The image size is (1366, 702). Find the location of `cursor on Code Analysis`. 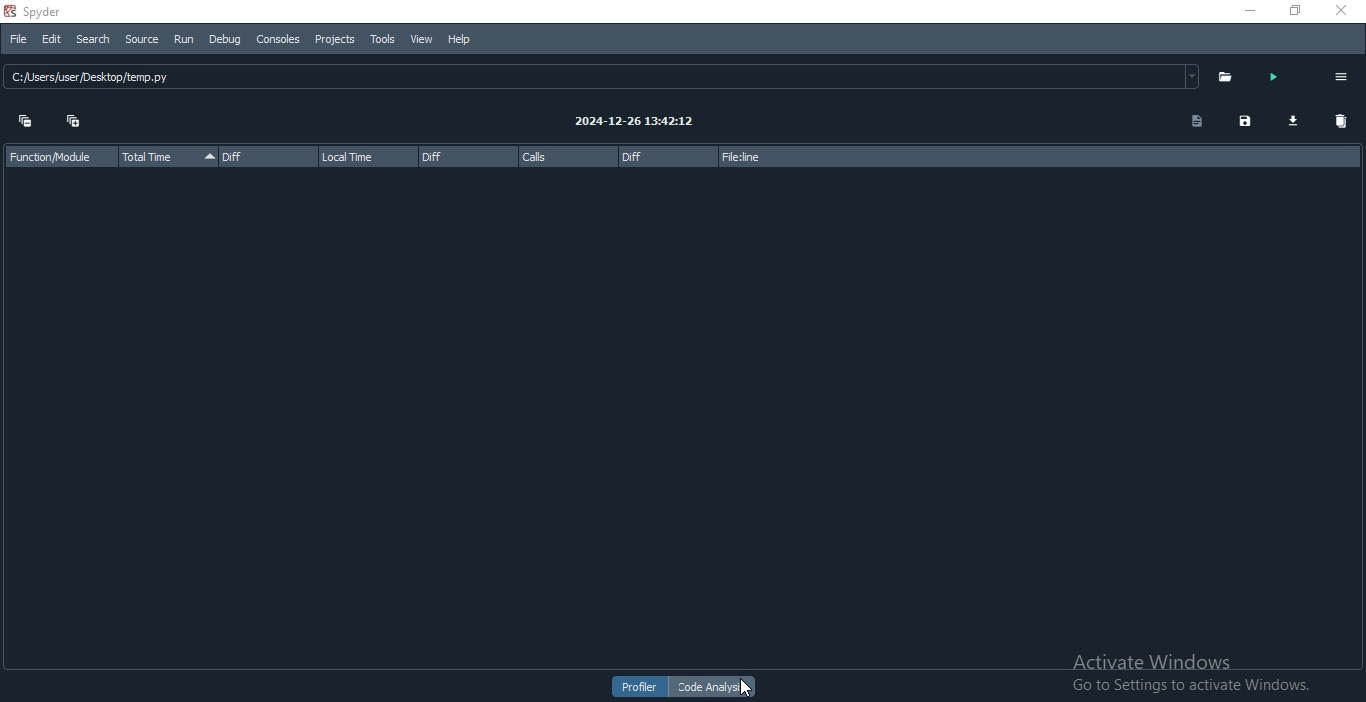

cursor on Code Analysis is located at coordinates (749, 689).